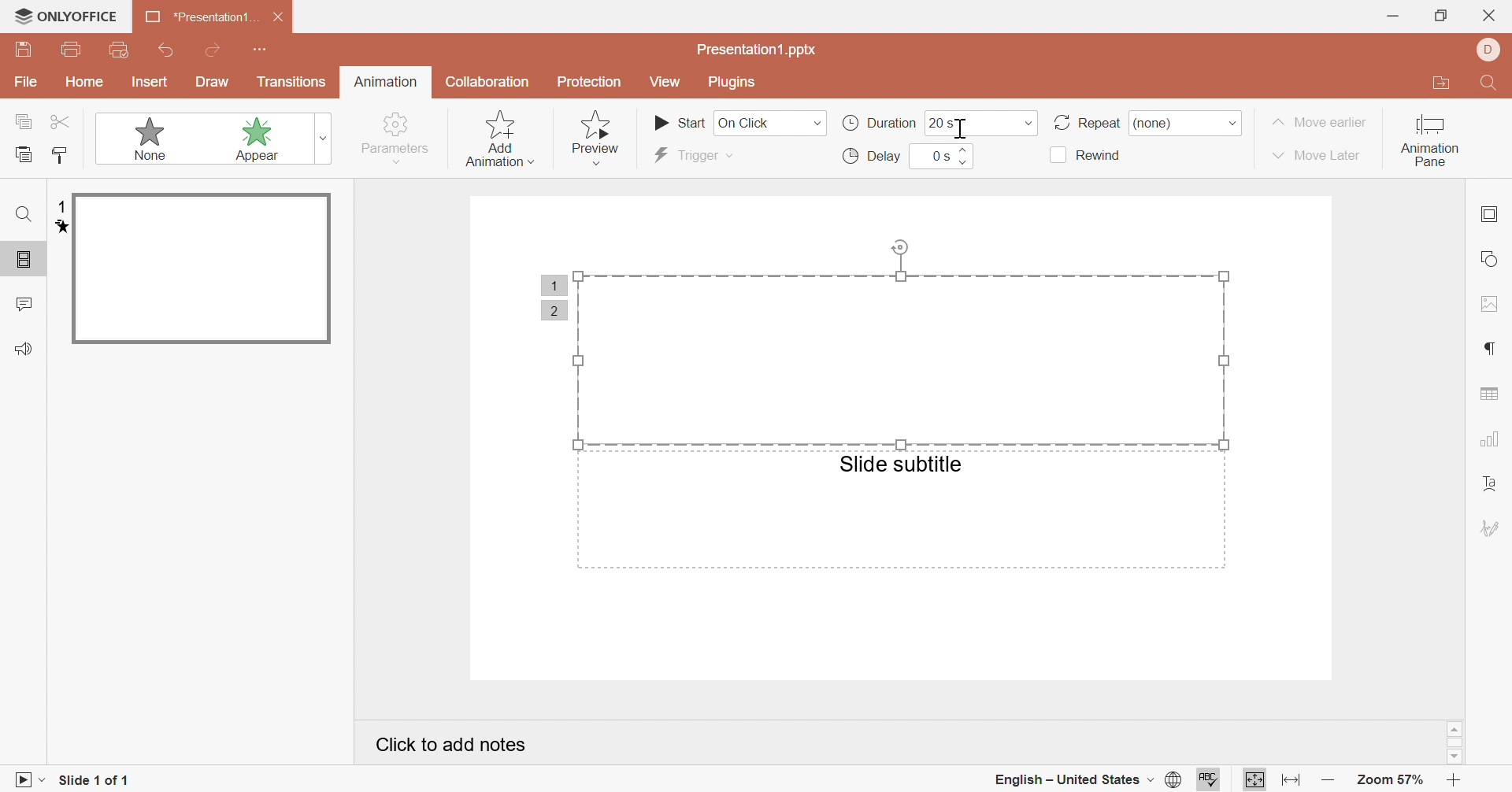 Image resolution: width=1512 pixels, height=792 pixels. I want to click on 0s, so click(939, 155).